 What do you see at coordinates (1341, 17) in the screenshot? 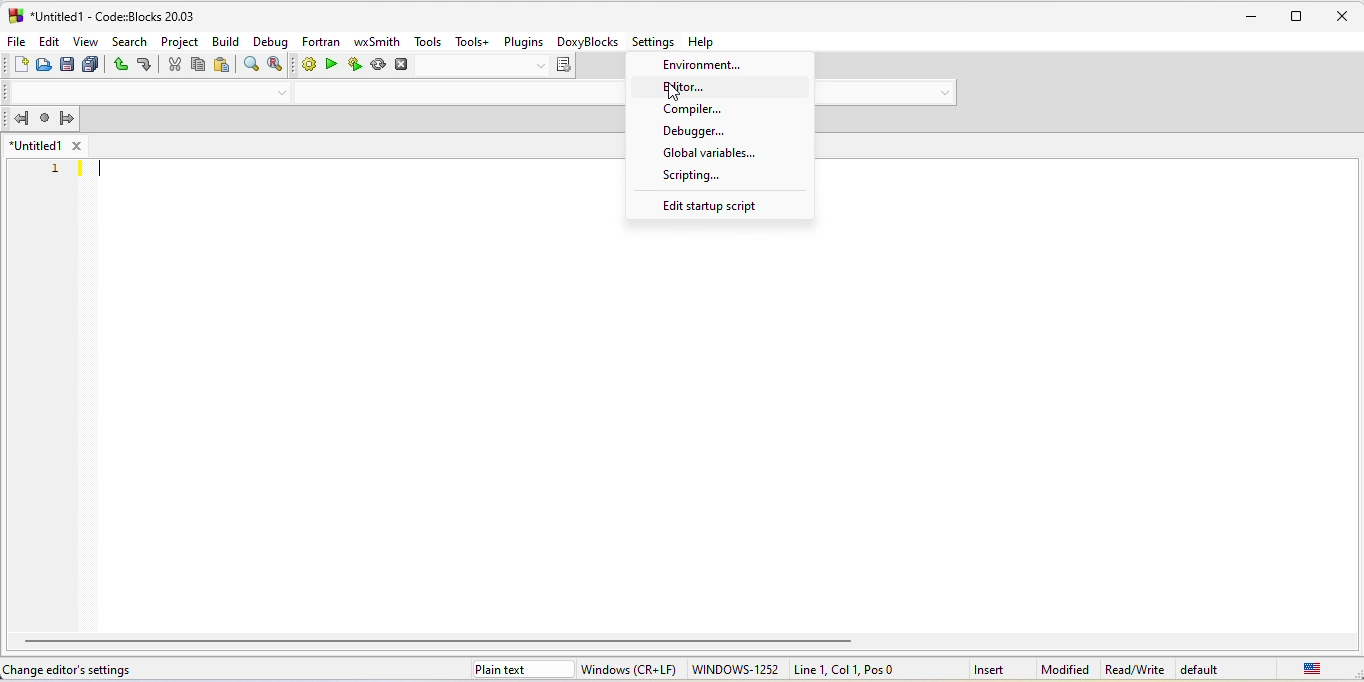
I see `close` at bounding box center [1341, 17].